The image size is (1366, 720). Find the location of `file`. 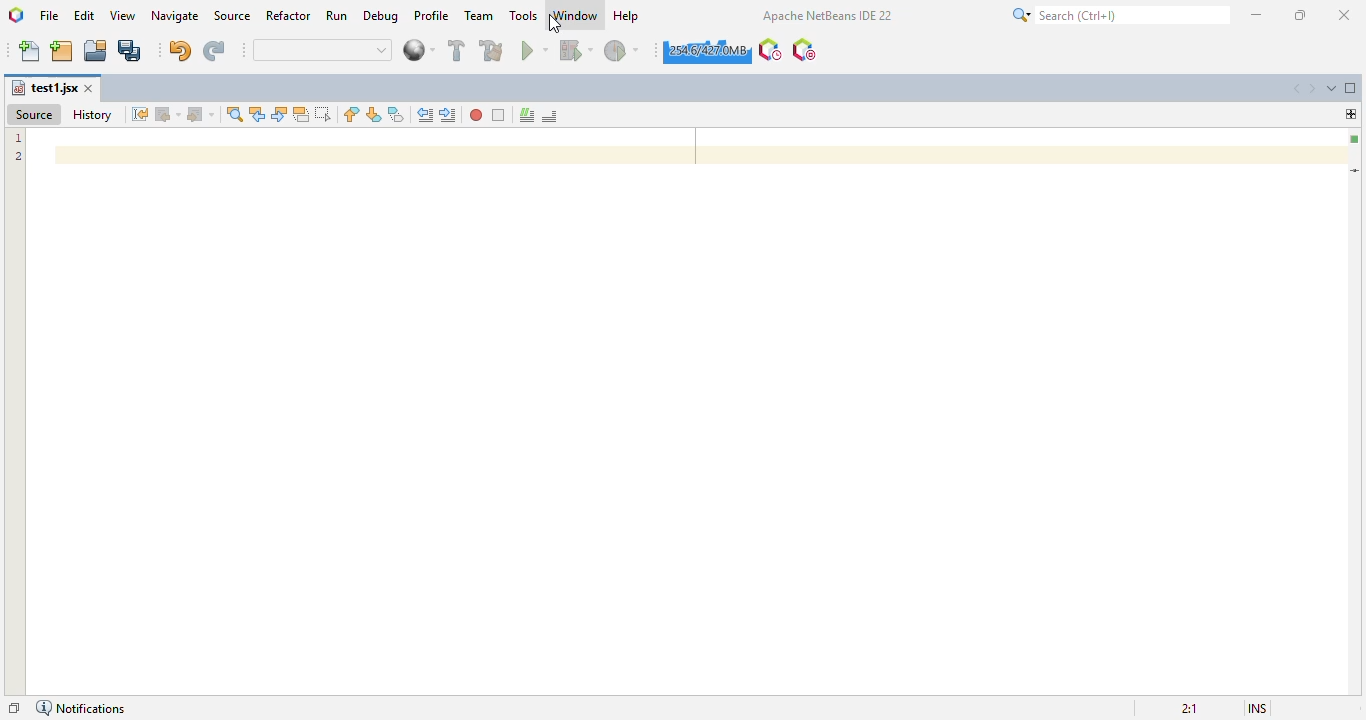

file is located at coordinates (50, 16).